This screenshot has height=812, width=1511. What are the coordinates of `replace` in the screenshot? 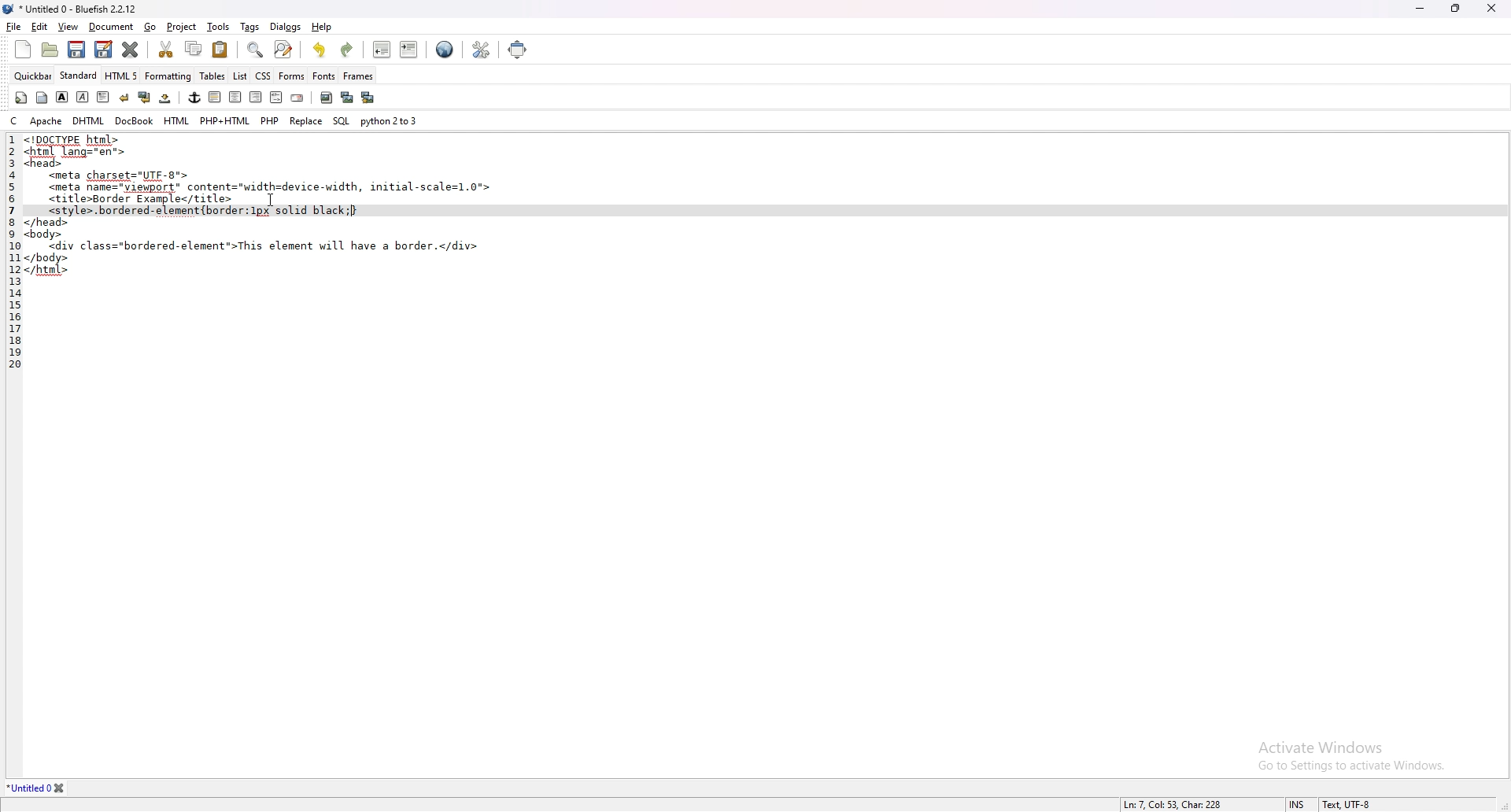 It's located at (306, 121).